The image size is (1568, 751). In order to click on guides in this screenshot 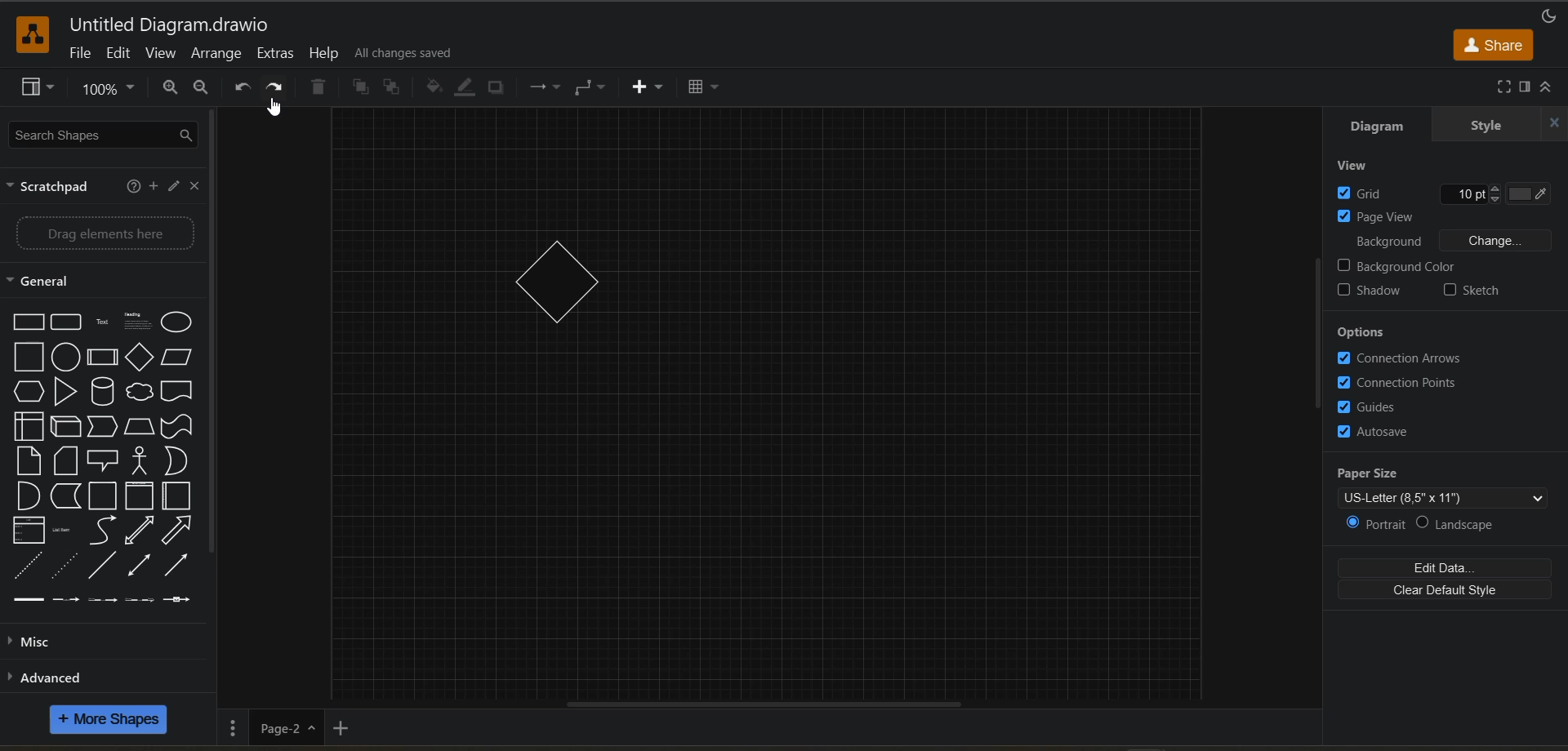, I will do `click(1374, 408)`.